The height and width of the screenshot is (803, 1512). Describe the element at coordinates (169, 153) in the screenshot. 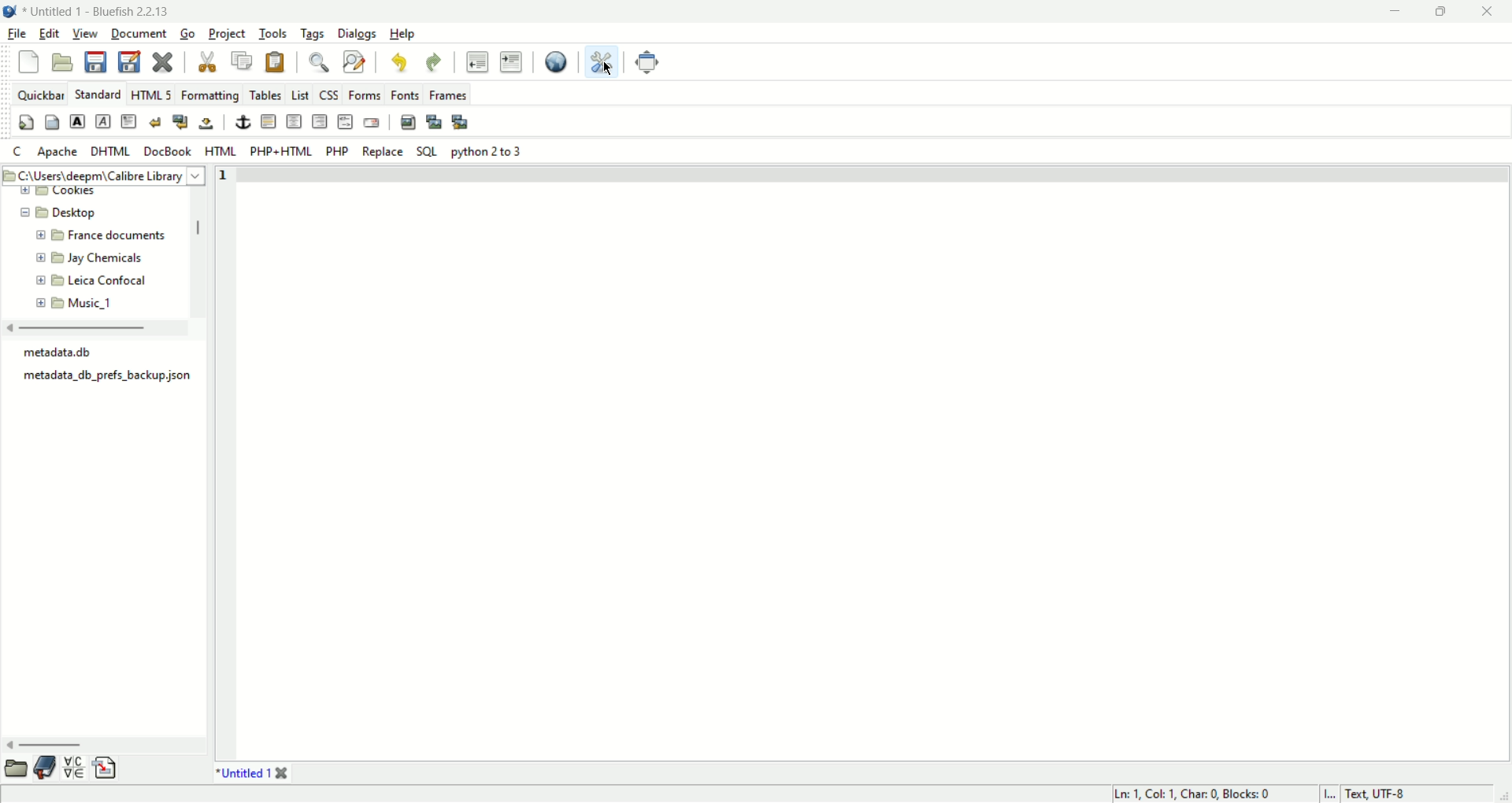

I see `docbook` at that location.